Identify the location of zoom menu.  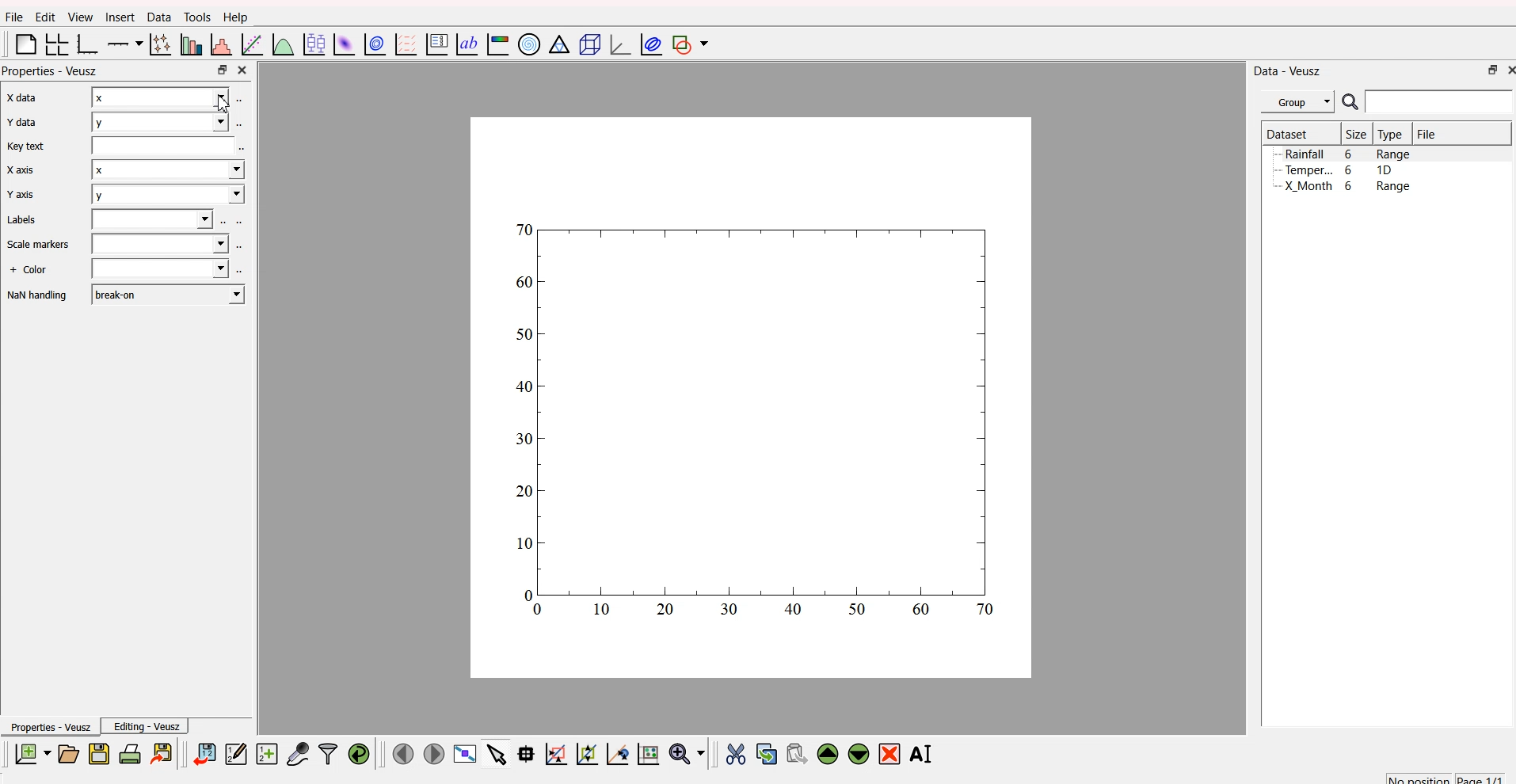
(688, 752).